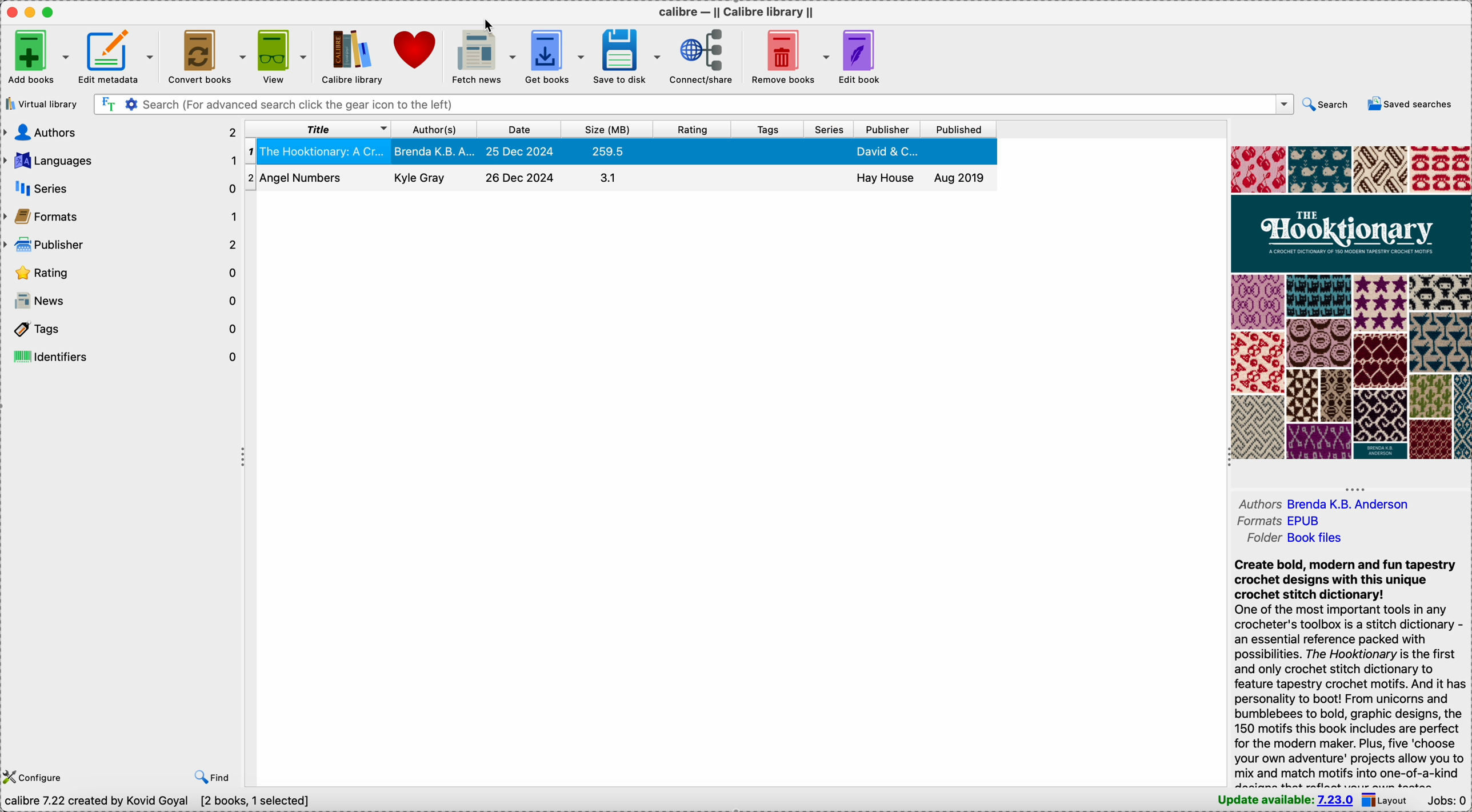  I want to click on get books, so click(554, 57).